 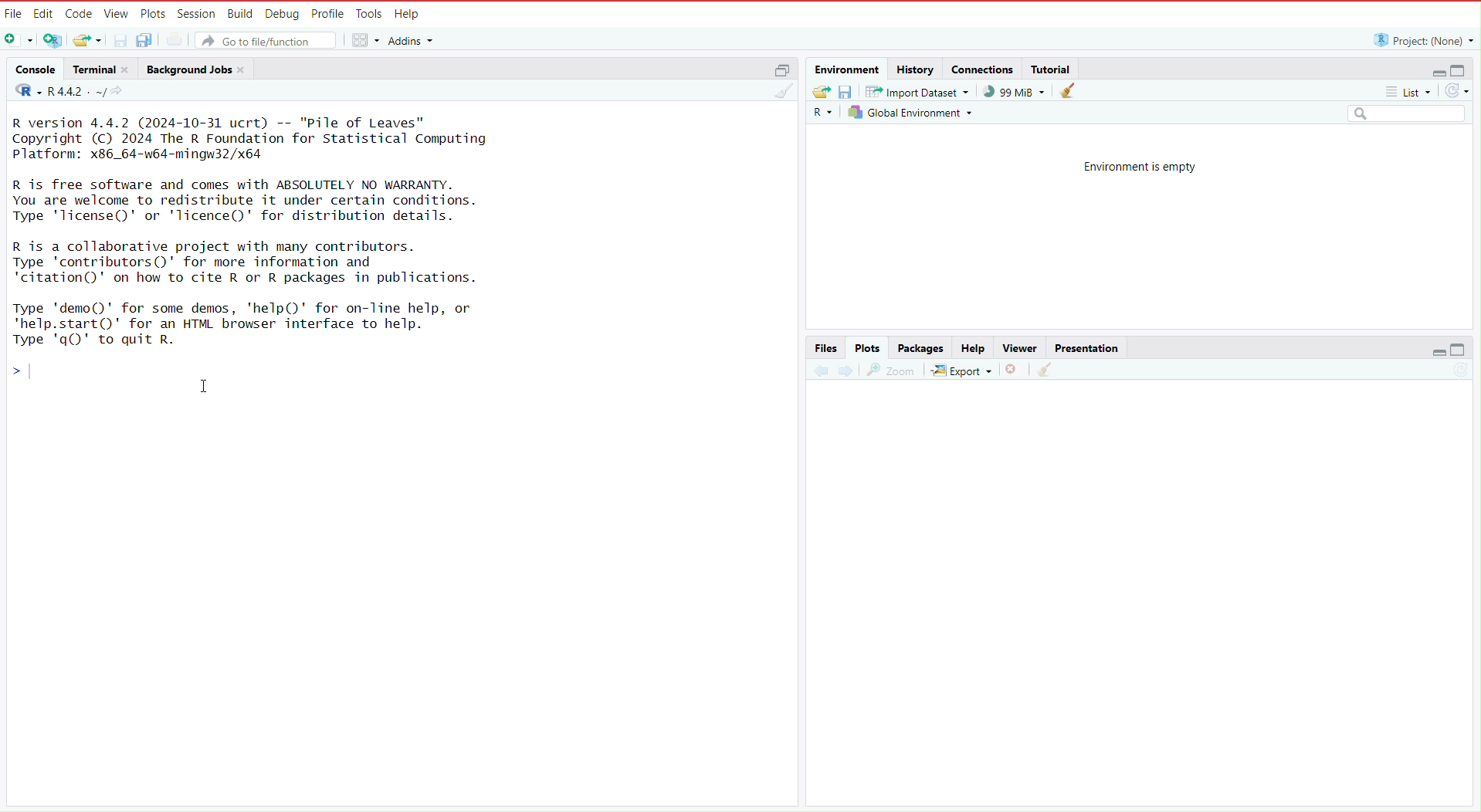 What do you see at coordinates (88, 41) in the screenshot?
I see `open an existing file` at bounding box center [88, 41].